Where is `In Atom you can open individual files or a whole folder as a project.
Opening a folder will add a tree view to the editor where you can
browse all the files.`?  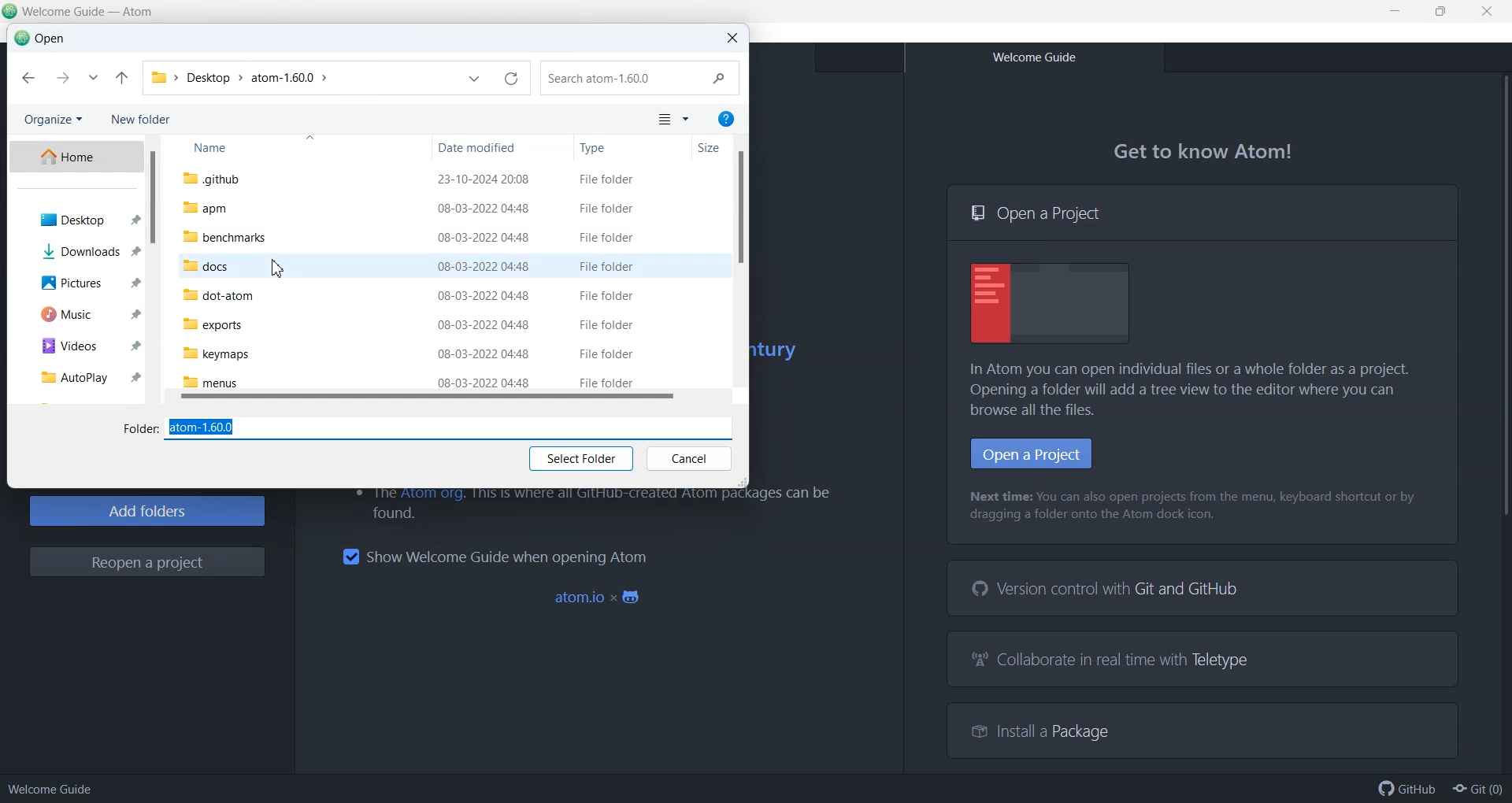 In Atom you can open individual files or a whole folder as a project.
Opening a folder will add a tree view to the editor where you can
browse all the files. is located at coordinates (1197, 390).